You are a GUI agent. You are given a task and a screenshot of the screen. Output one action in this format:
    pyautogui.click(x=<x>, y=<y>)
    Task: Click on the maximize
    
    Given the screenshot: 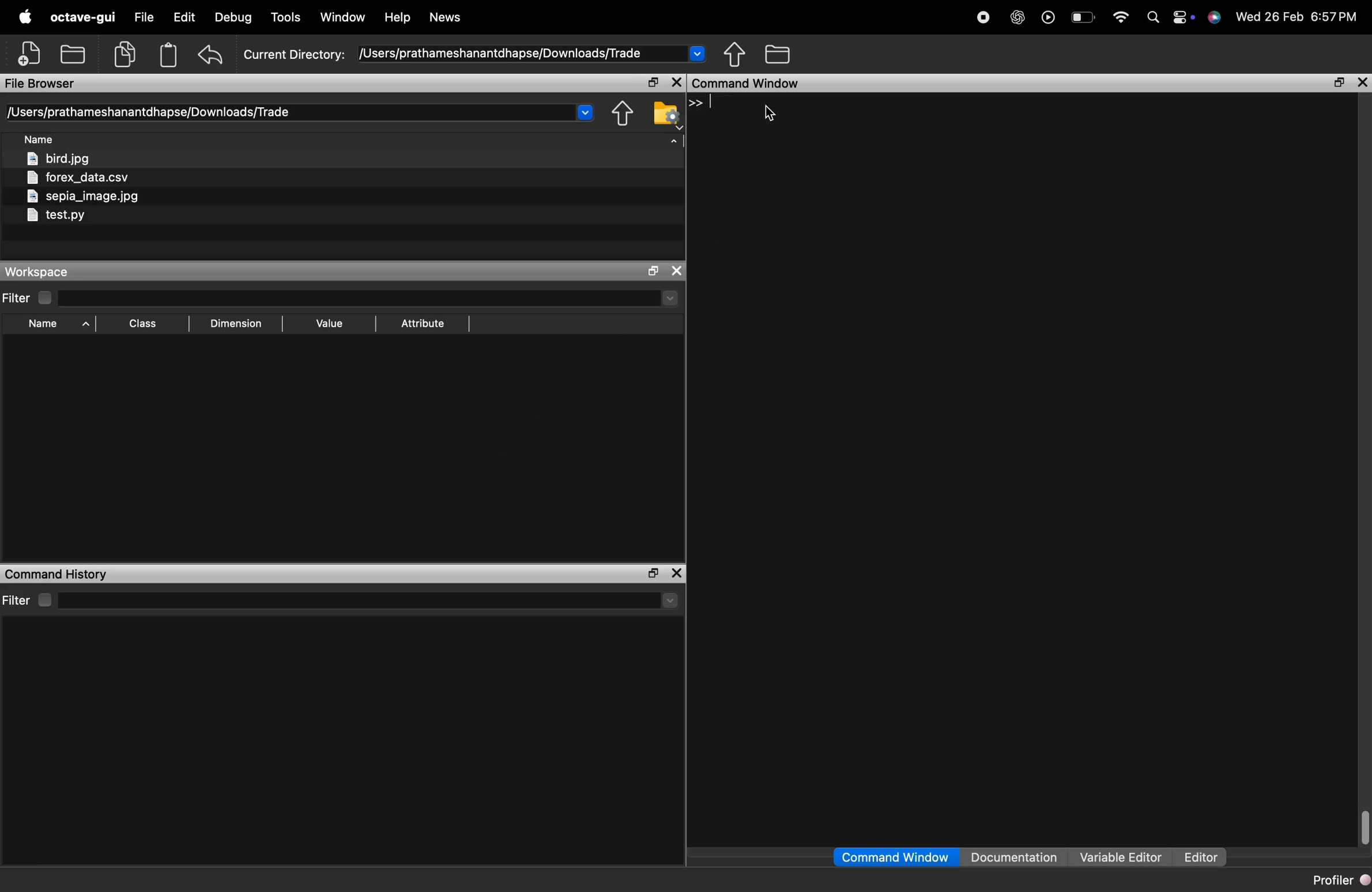 What is the action you would take?
    pyautogui.click(x=653, y=573)
    